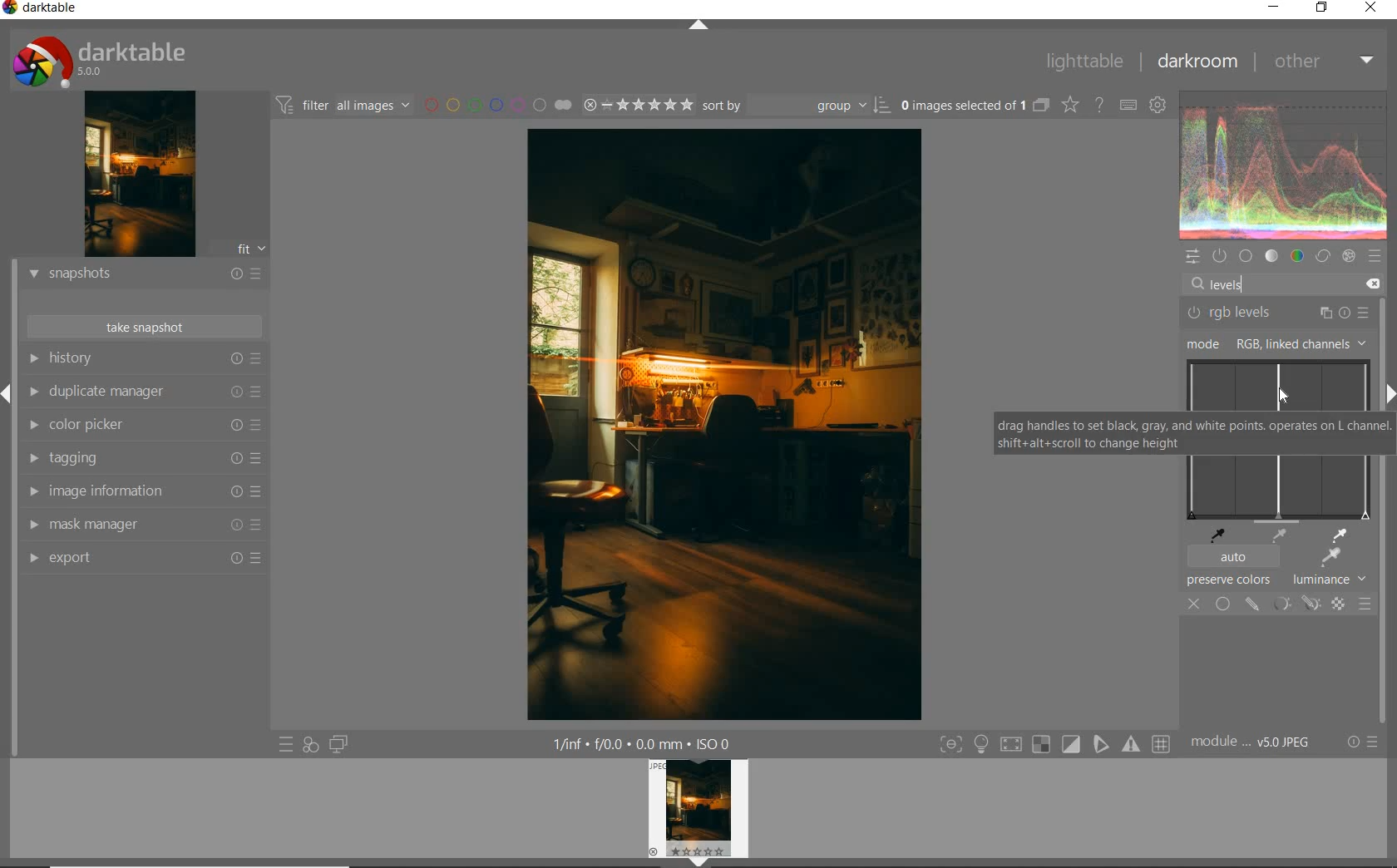 This screenshot has height=868, width=1397. I want to click on pick white point with image, so click(1343, 535).